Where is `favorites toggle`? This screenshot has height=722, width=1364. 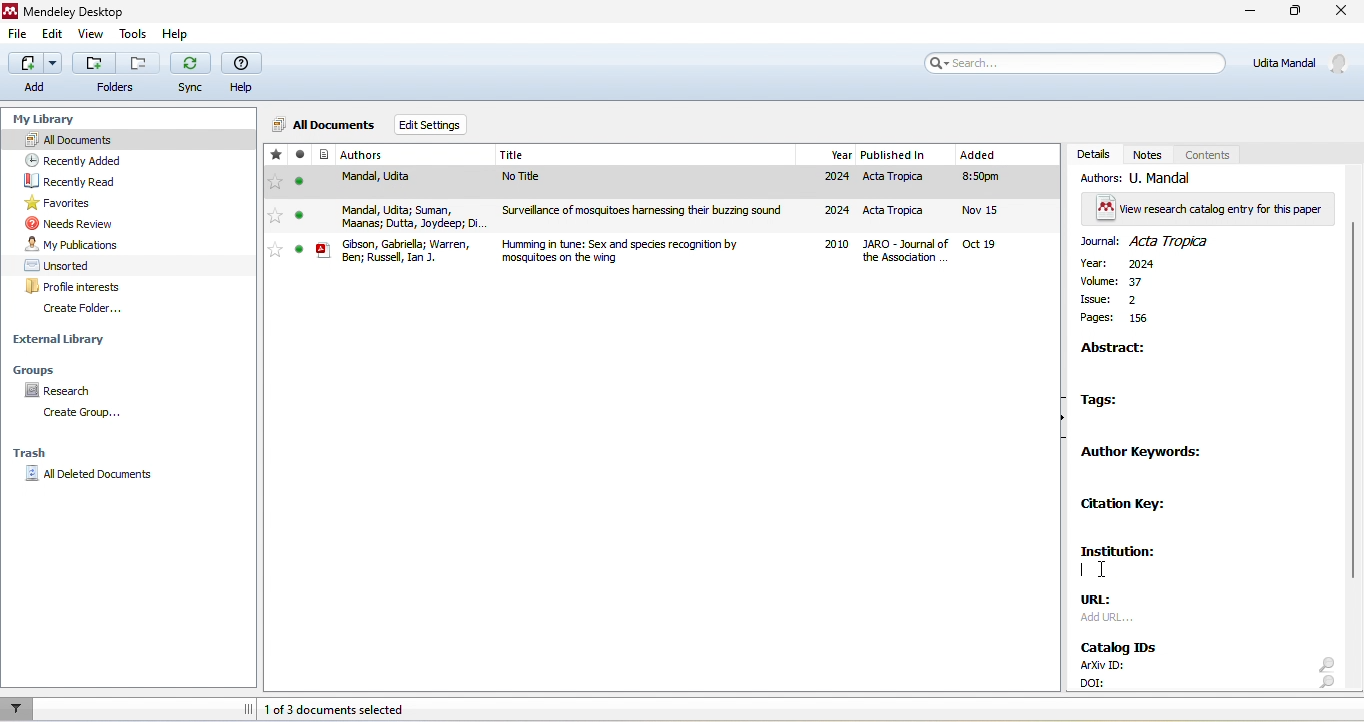
favorites toggle is located at coordinates (274, 217).